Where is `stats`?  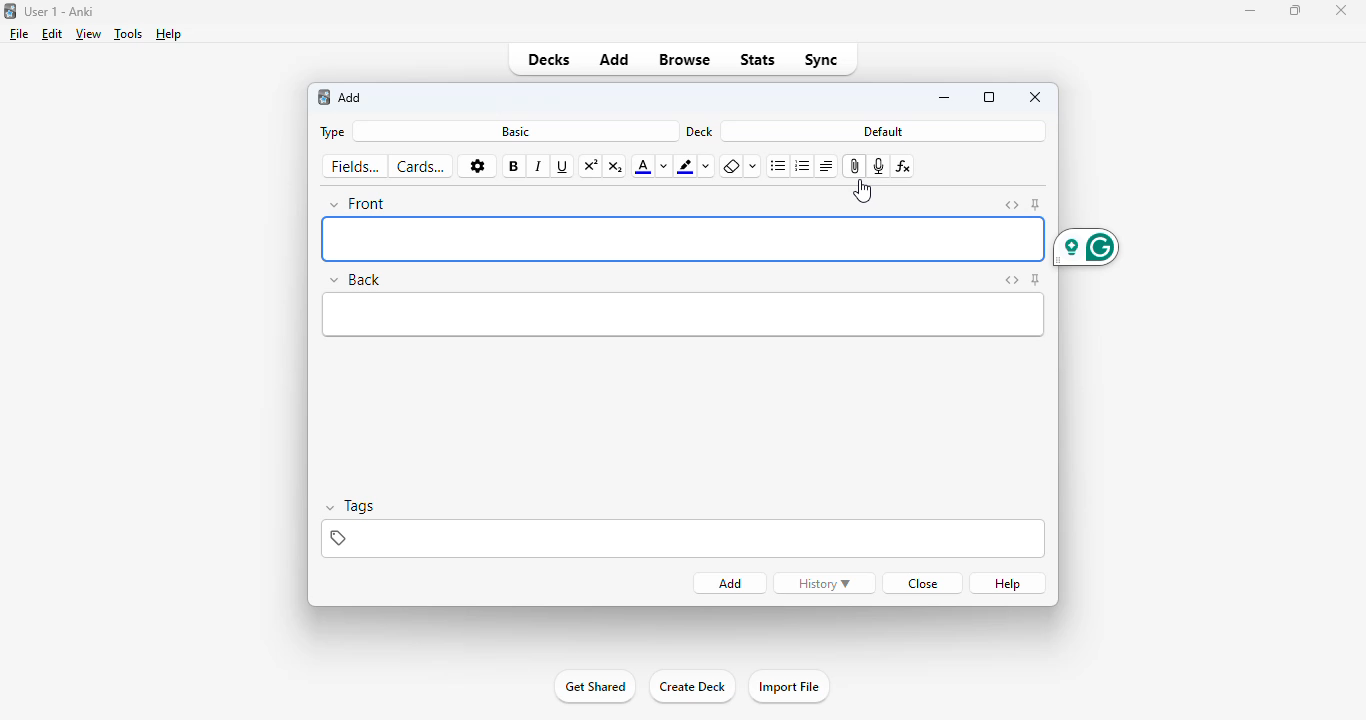 stats is located at coordinates (757, 60).